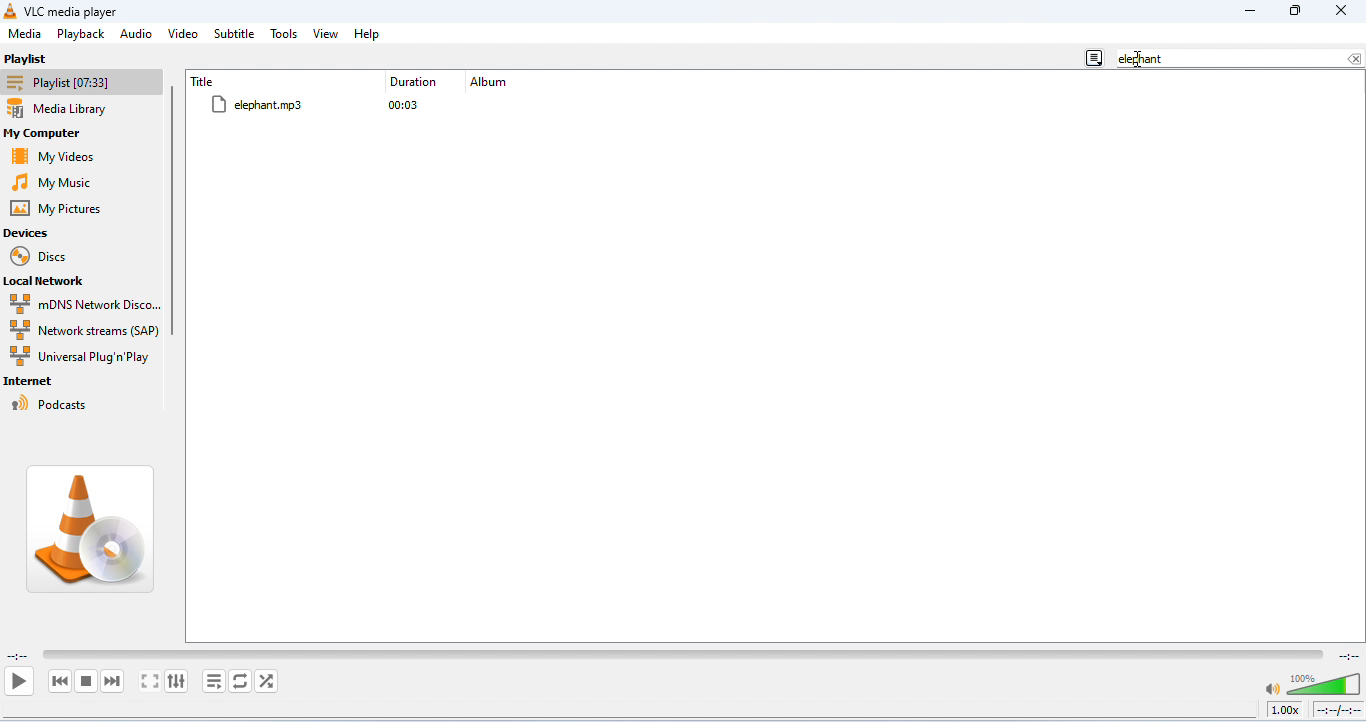 The height and width of the screenshot is (722, 1366). I want to click on change playlist view, so click(1095, 55).